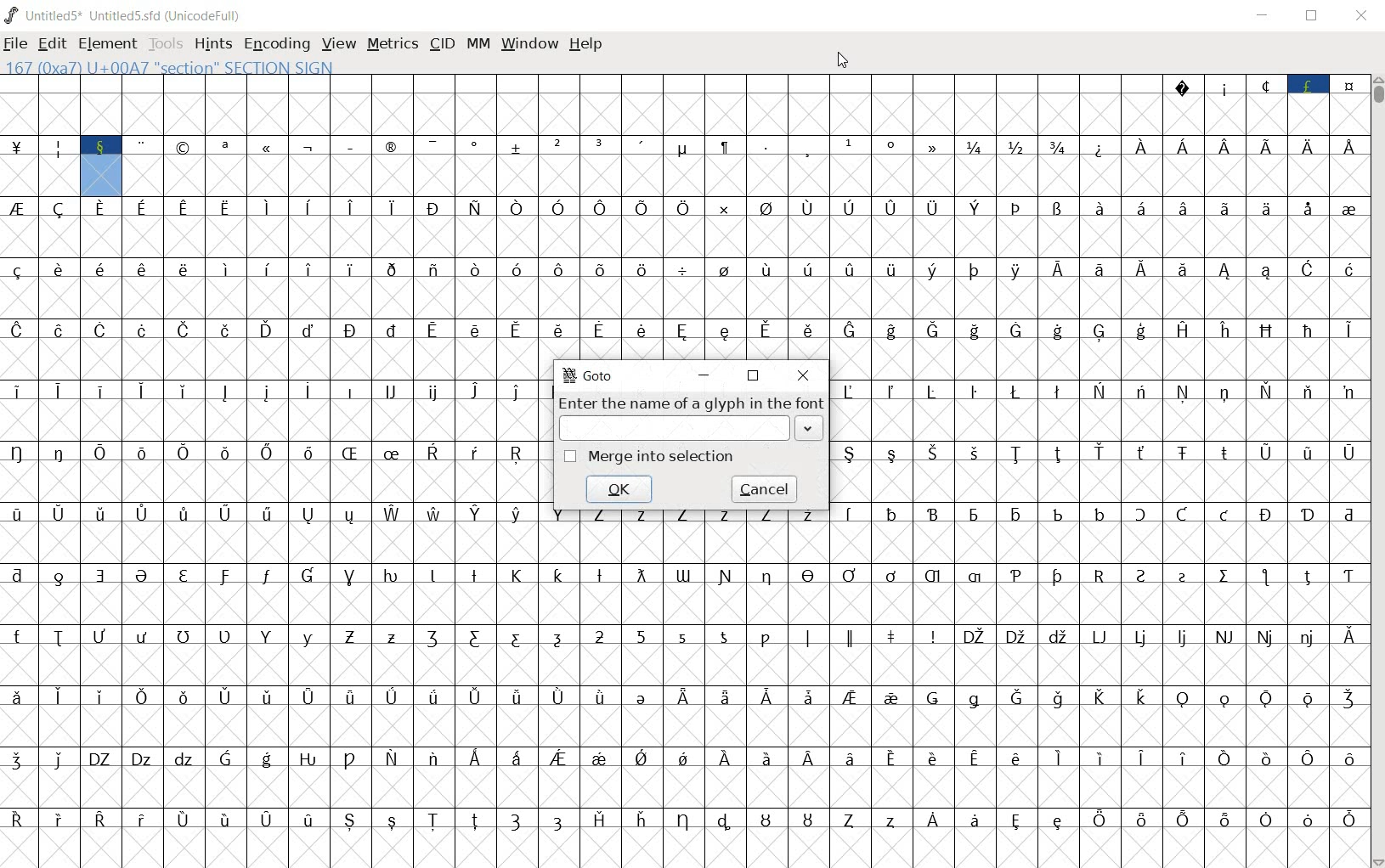 The image size is (1385, 868). I want to click on Latin extended characters, so click(414, 715).